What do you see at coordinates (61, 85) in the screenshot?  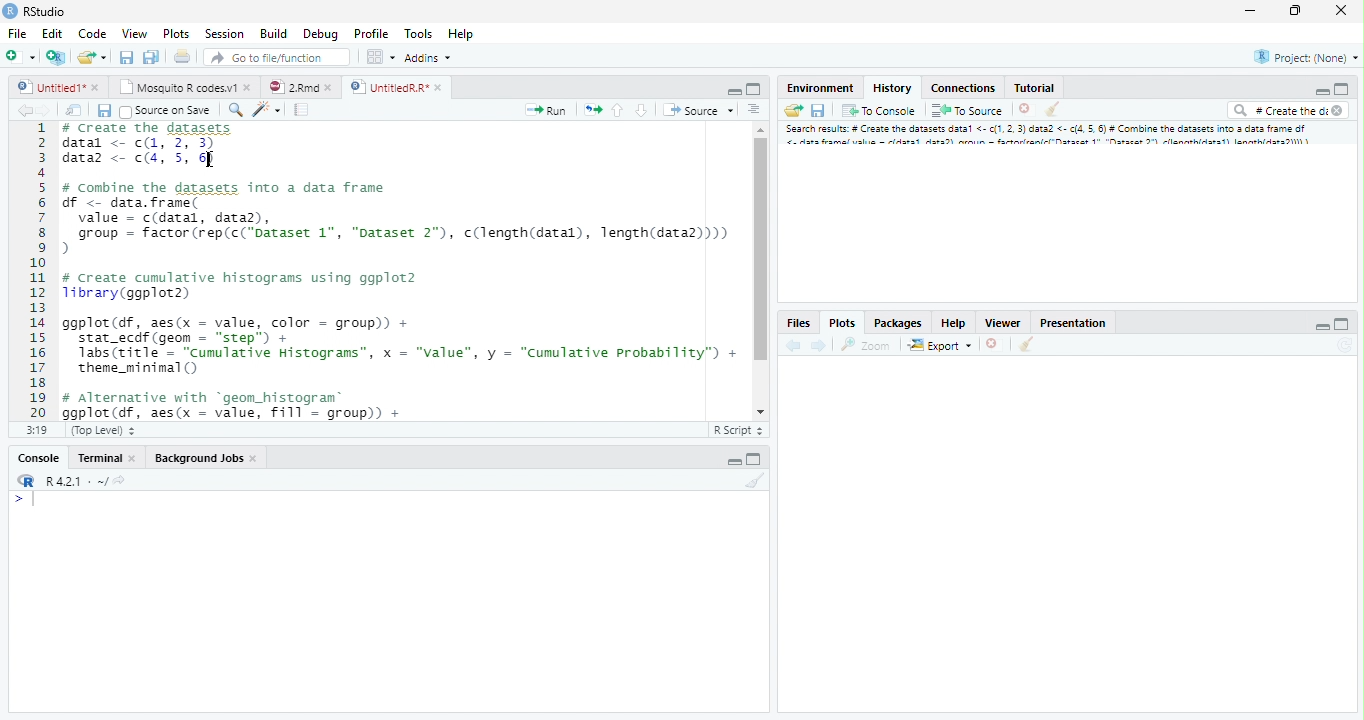 I see `Untitled` at bounding box center [61, 85].